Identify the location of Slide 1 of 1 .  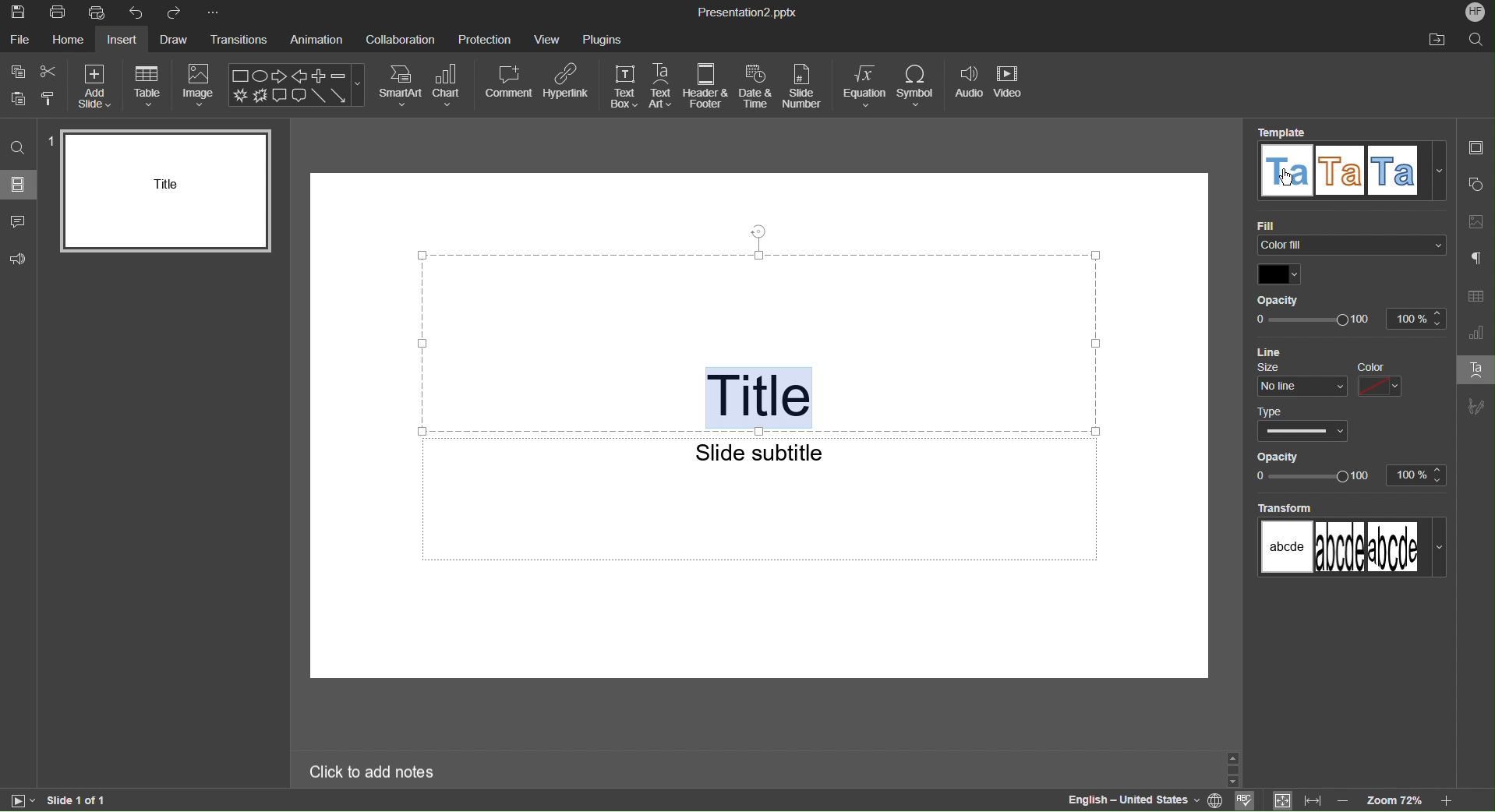
(79, 800).